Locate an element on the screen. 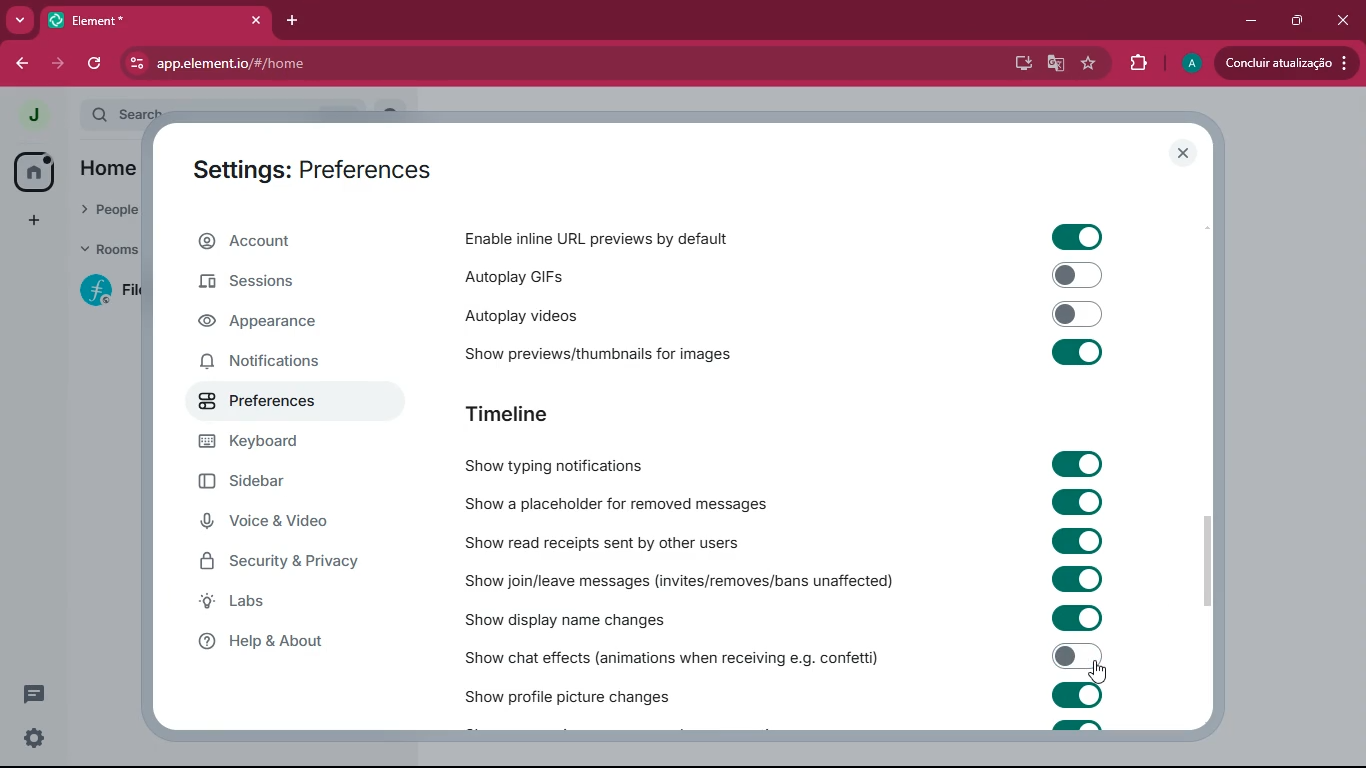 The image size is (1366, 768). search is located at coordinates (120, 114).